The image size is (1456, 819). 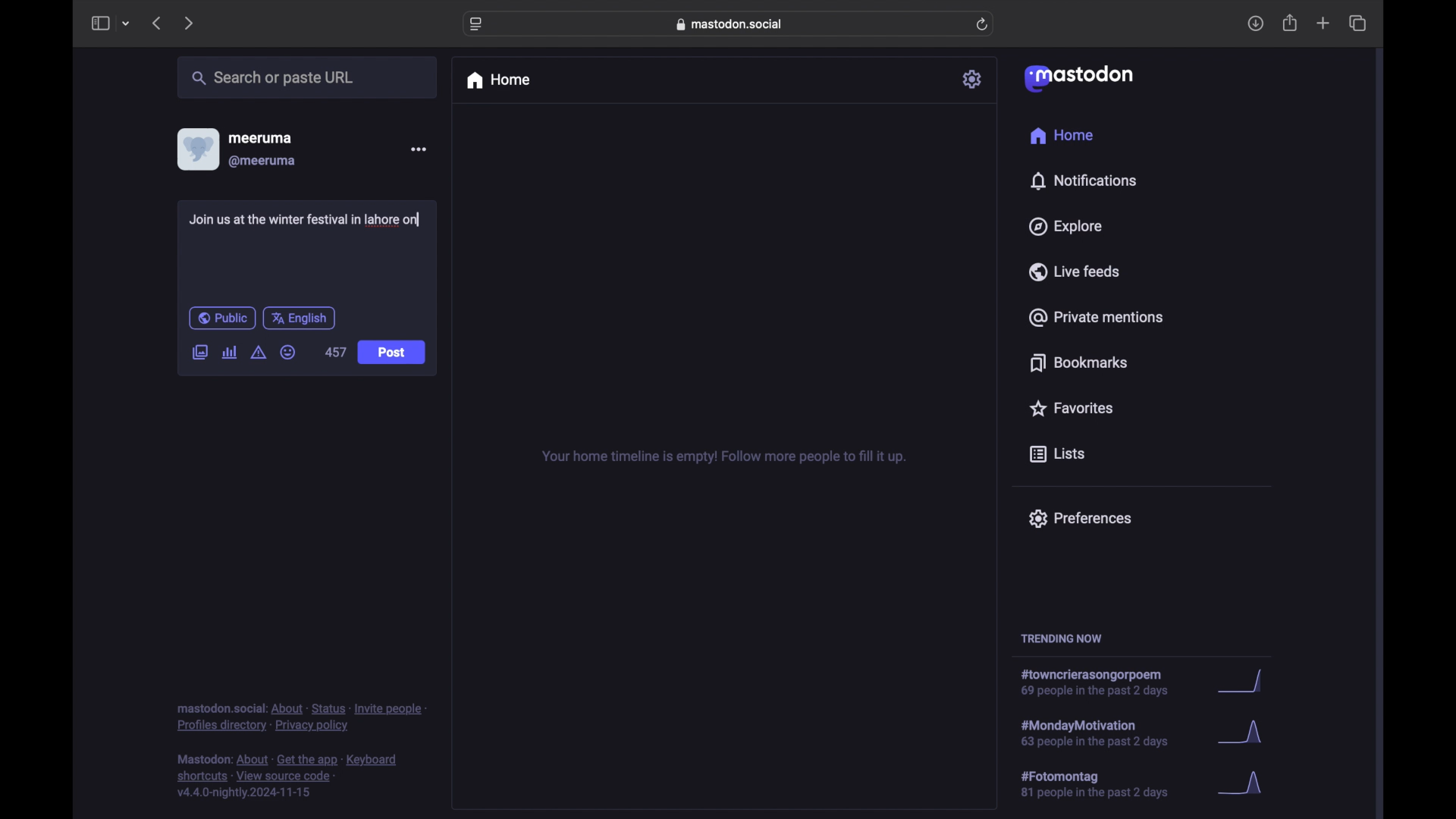 I want to click on tab group picker, so click(x=126, y=24).